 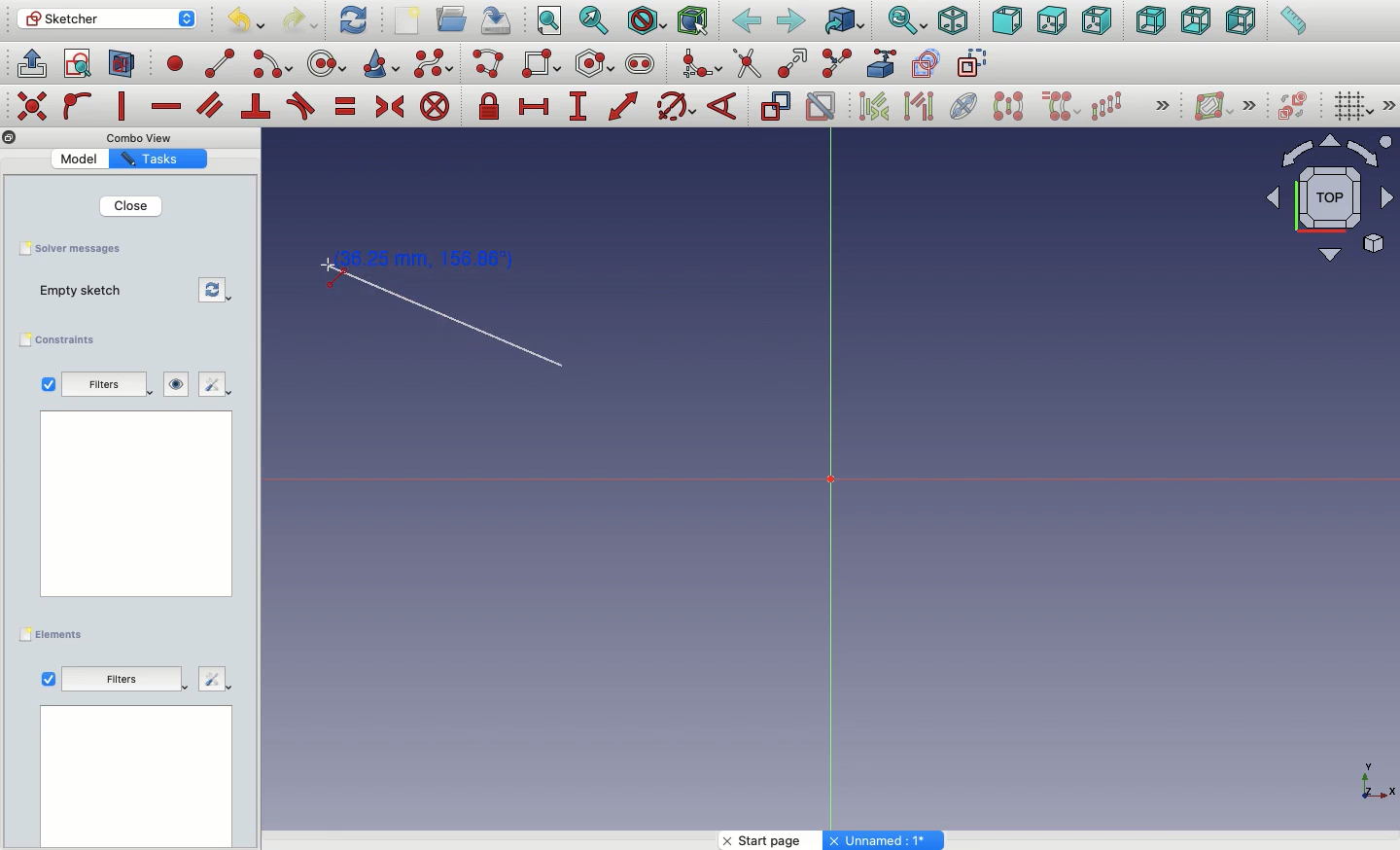 What do you see at coordinates (543, 64) in the screenshot?
I see `Rectangle` at bounding box center [543, 64].